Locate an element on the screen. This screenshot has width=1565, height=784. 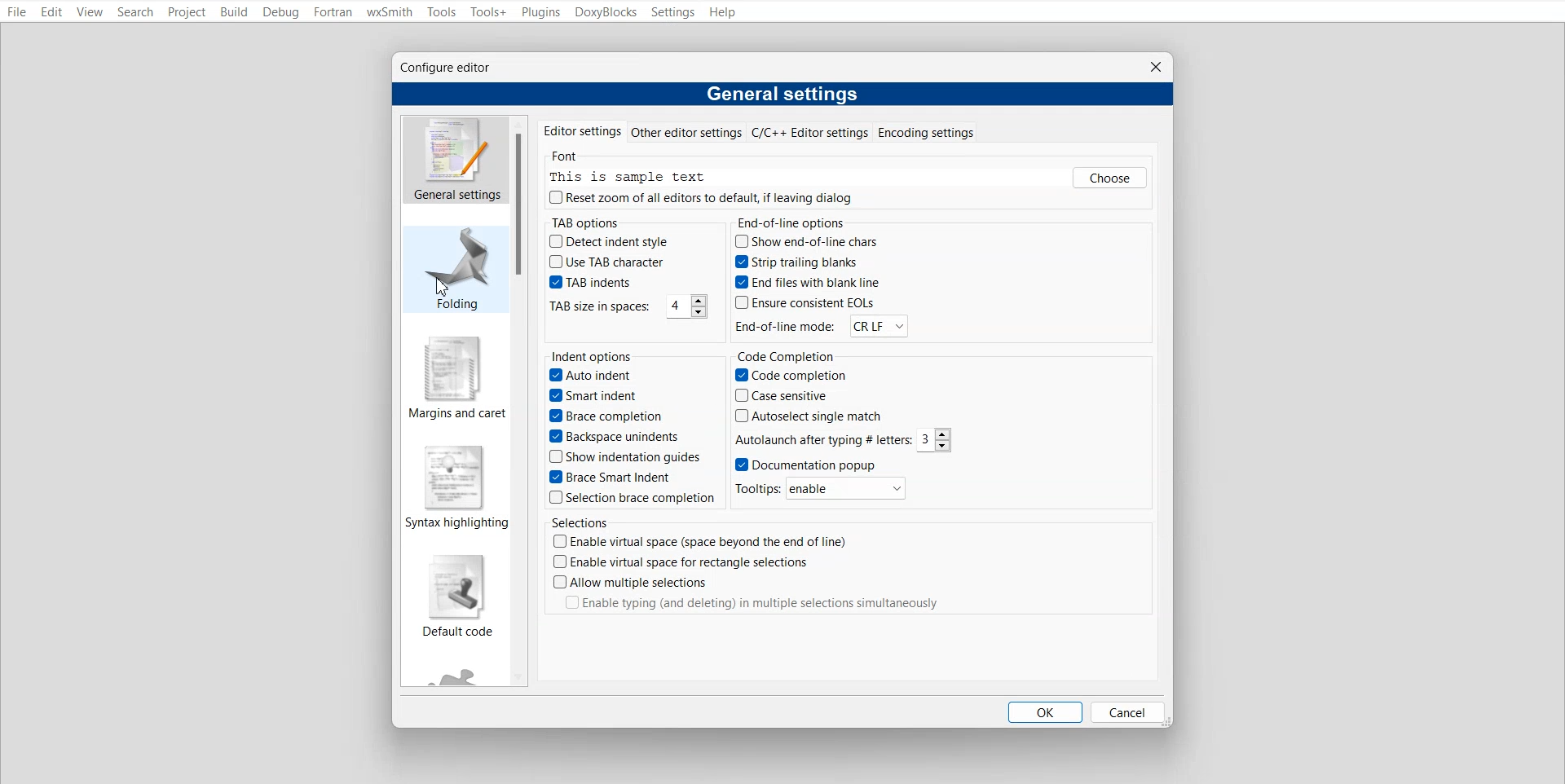
View is located at coordinates (90, 11).